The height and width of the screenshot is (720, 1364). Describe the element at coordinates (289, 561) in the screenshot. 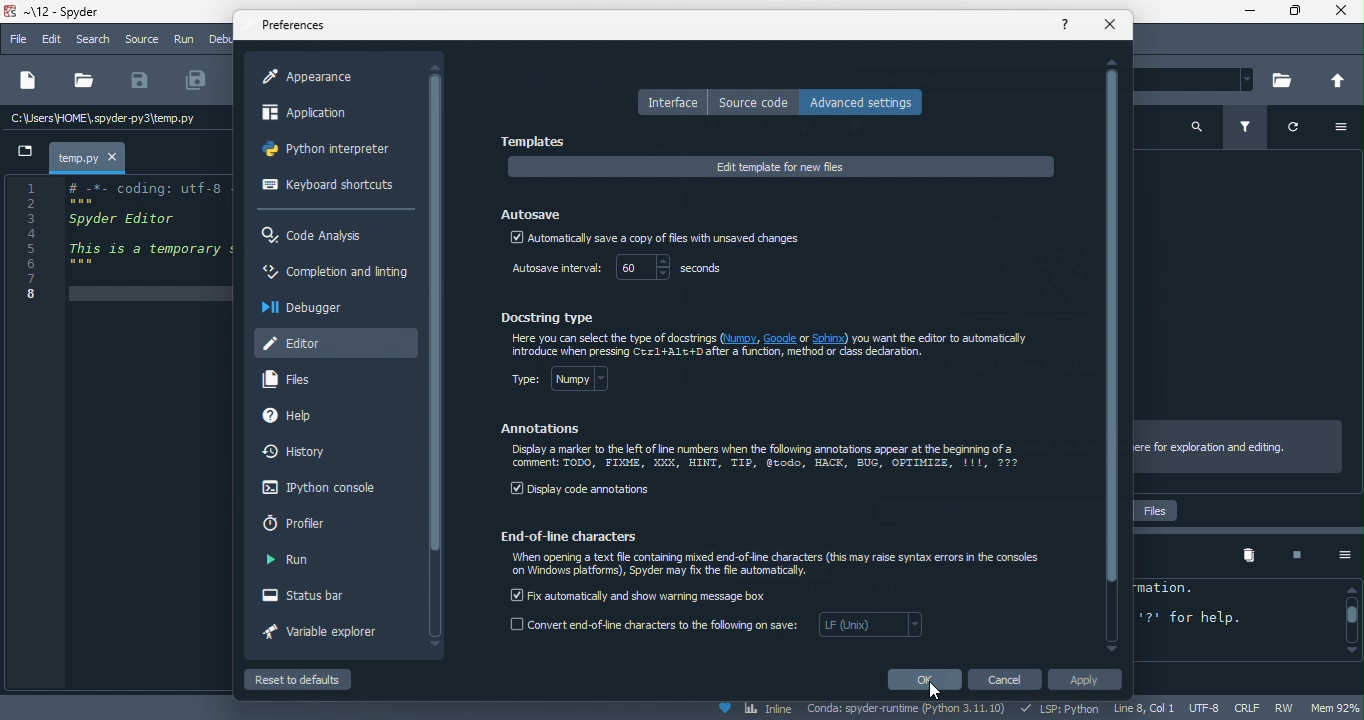

I see `run` at that location.